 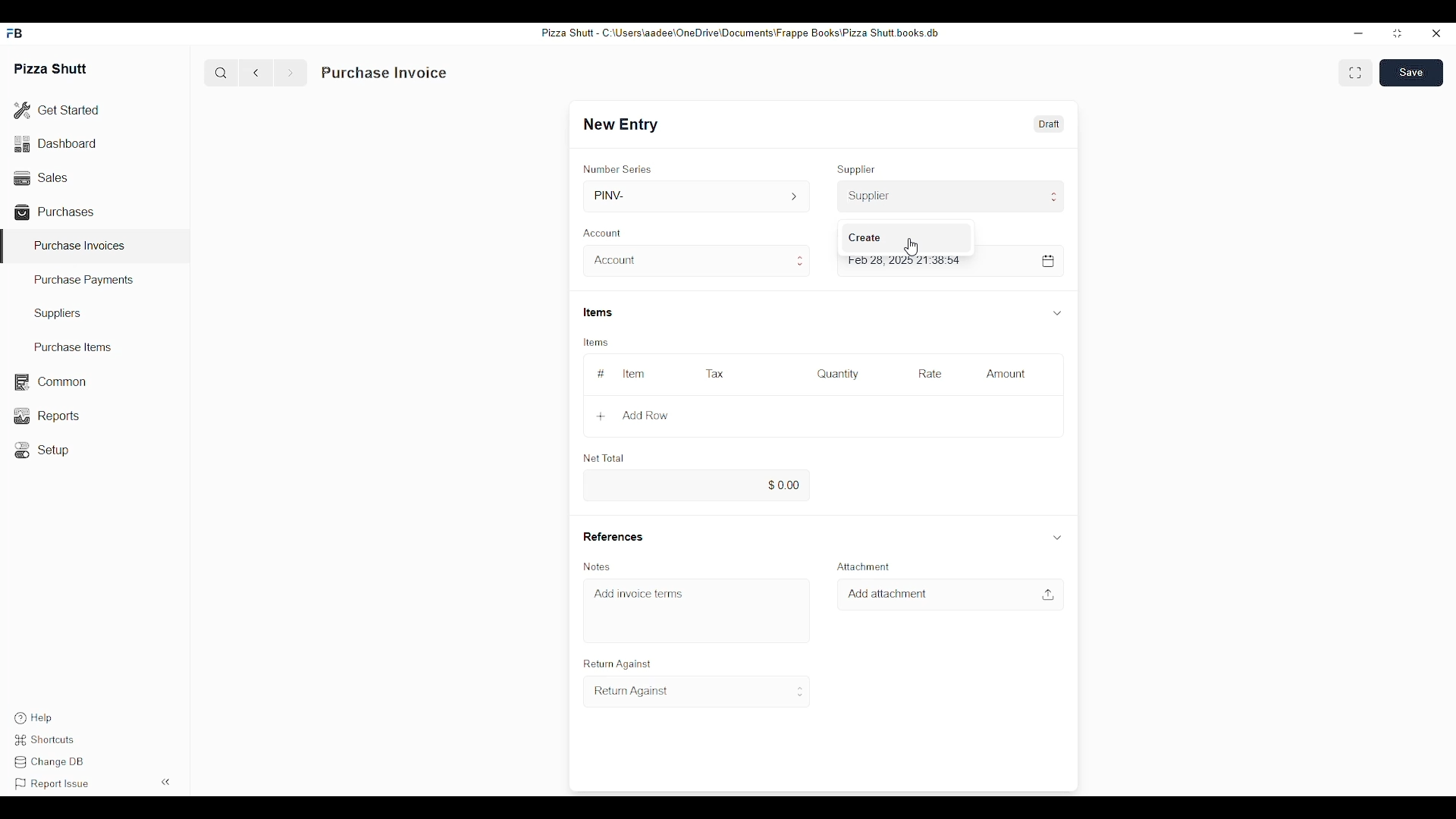 I want to click on Feb 28, 2025 21:38:54, so click(x=907, y=260).